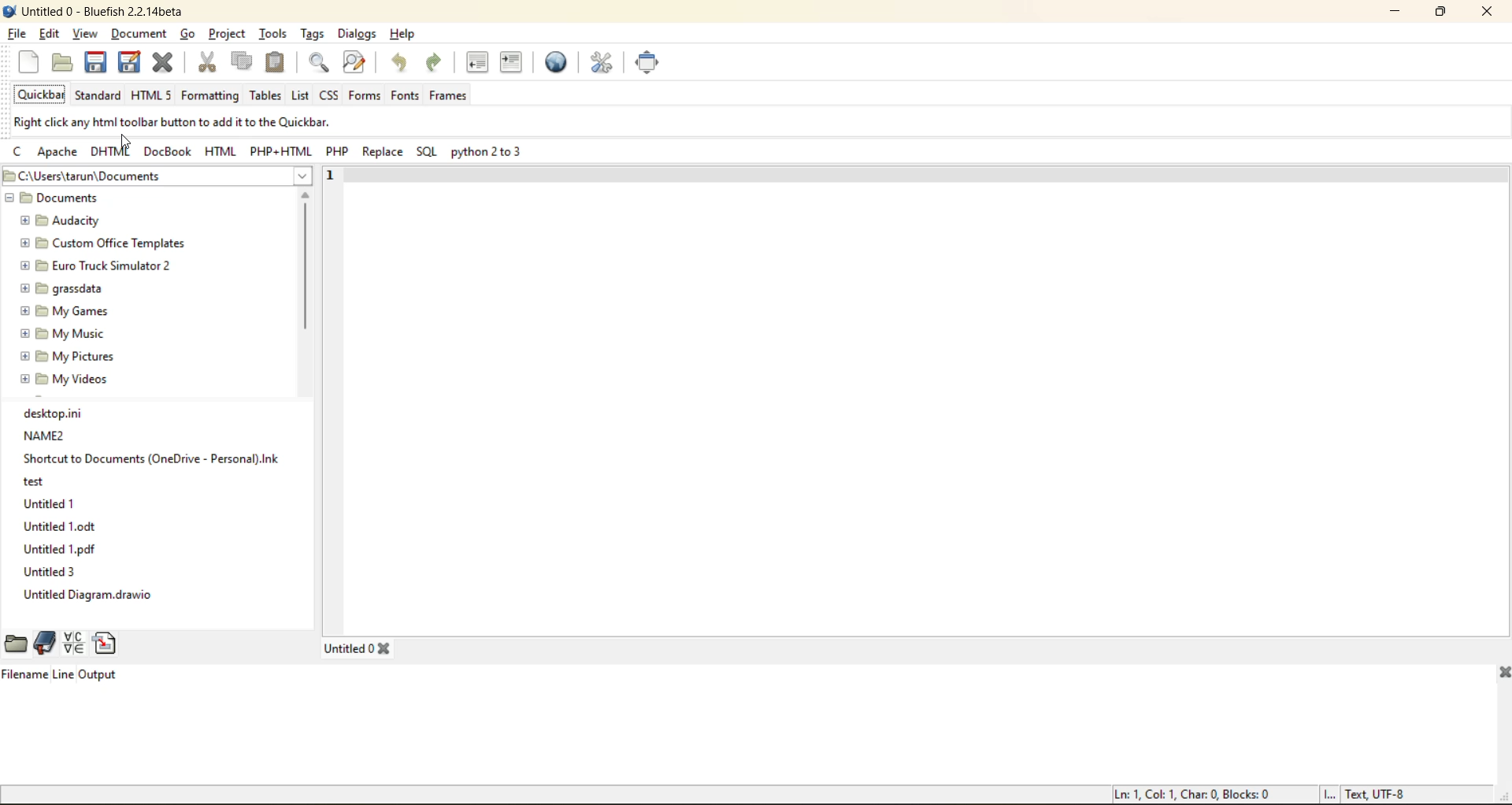 This screenshot has height=805, width=1512. Describe the element at coordinates (430, 153) in the screenshot. I see `sql` at that location.